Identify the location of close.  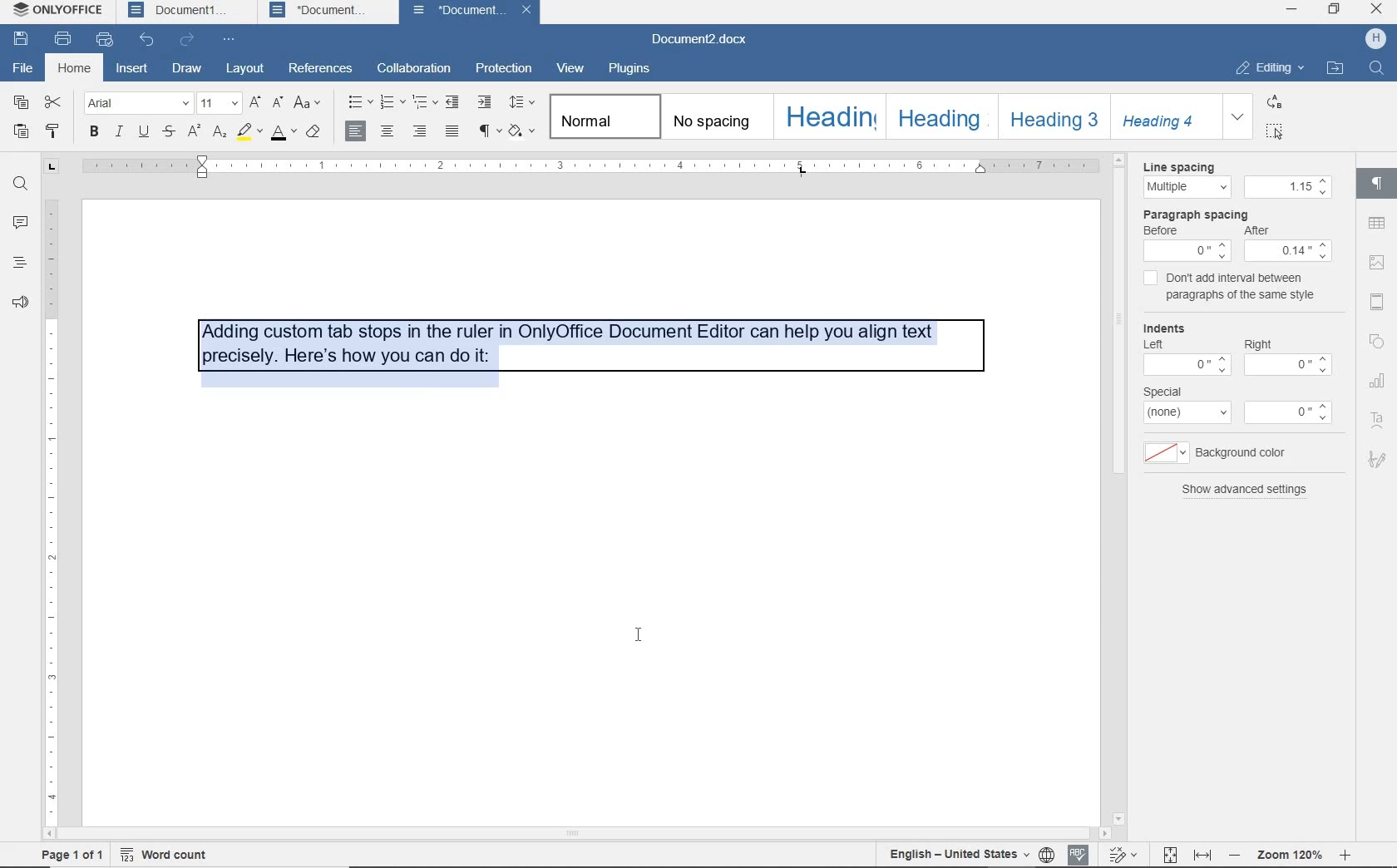
(528, 12).